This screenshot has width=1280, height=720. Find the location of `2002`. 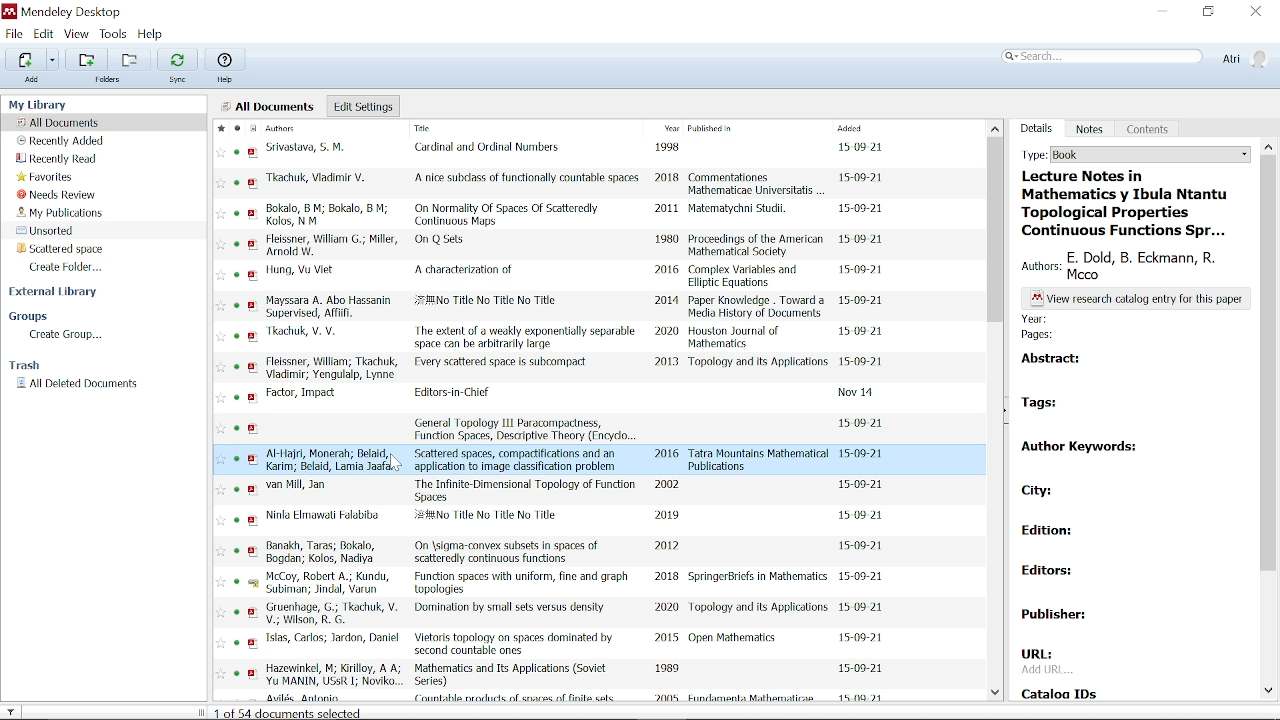

2002 is located at coordinates (669, 484).